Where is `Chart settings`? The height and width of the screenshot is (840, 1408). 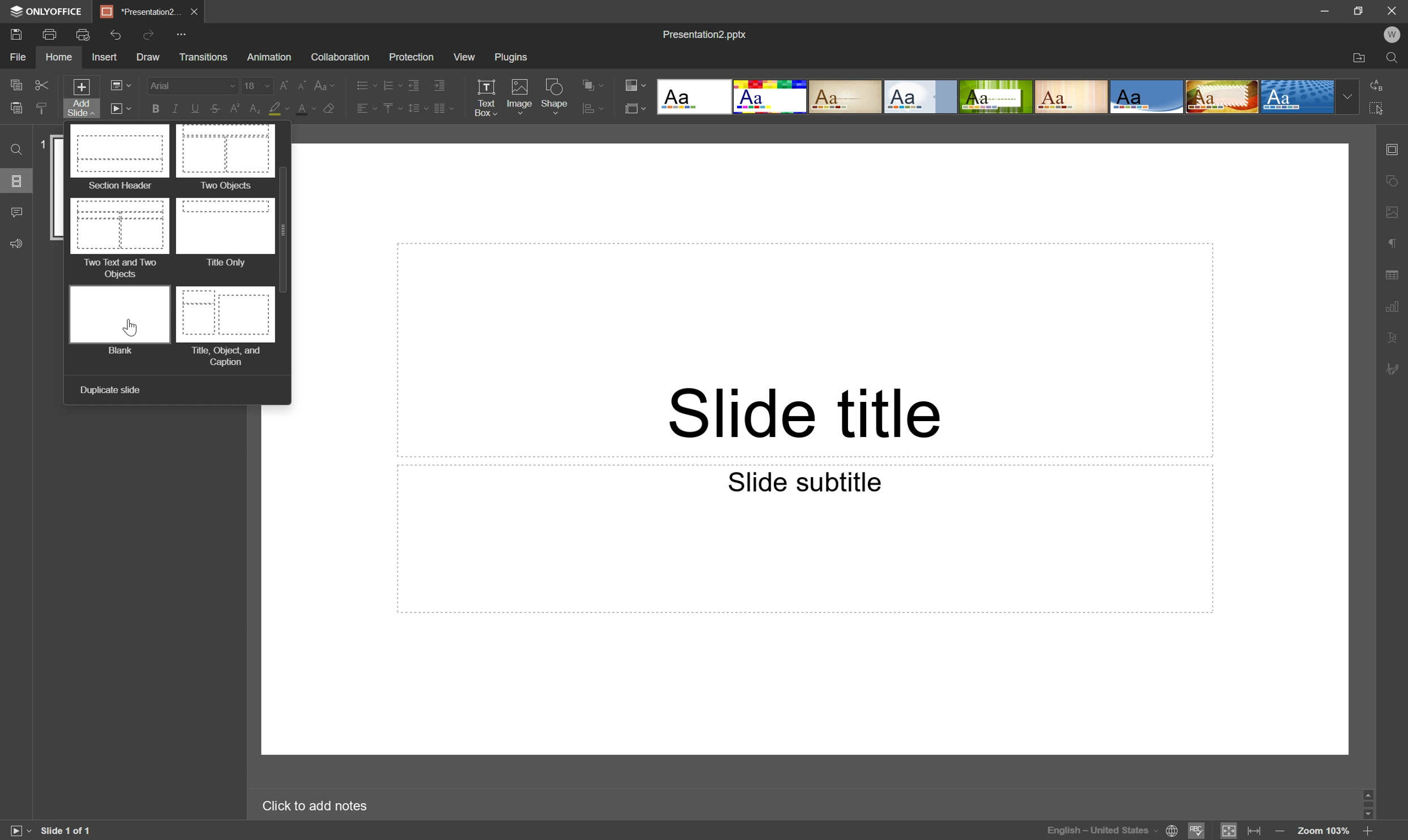
Chart settings is located at coordinates (1394, 305).